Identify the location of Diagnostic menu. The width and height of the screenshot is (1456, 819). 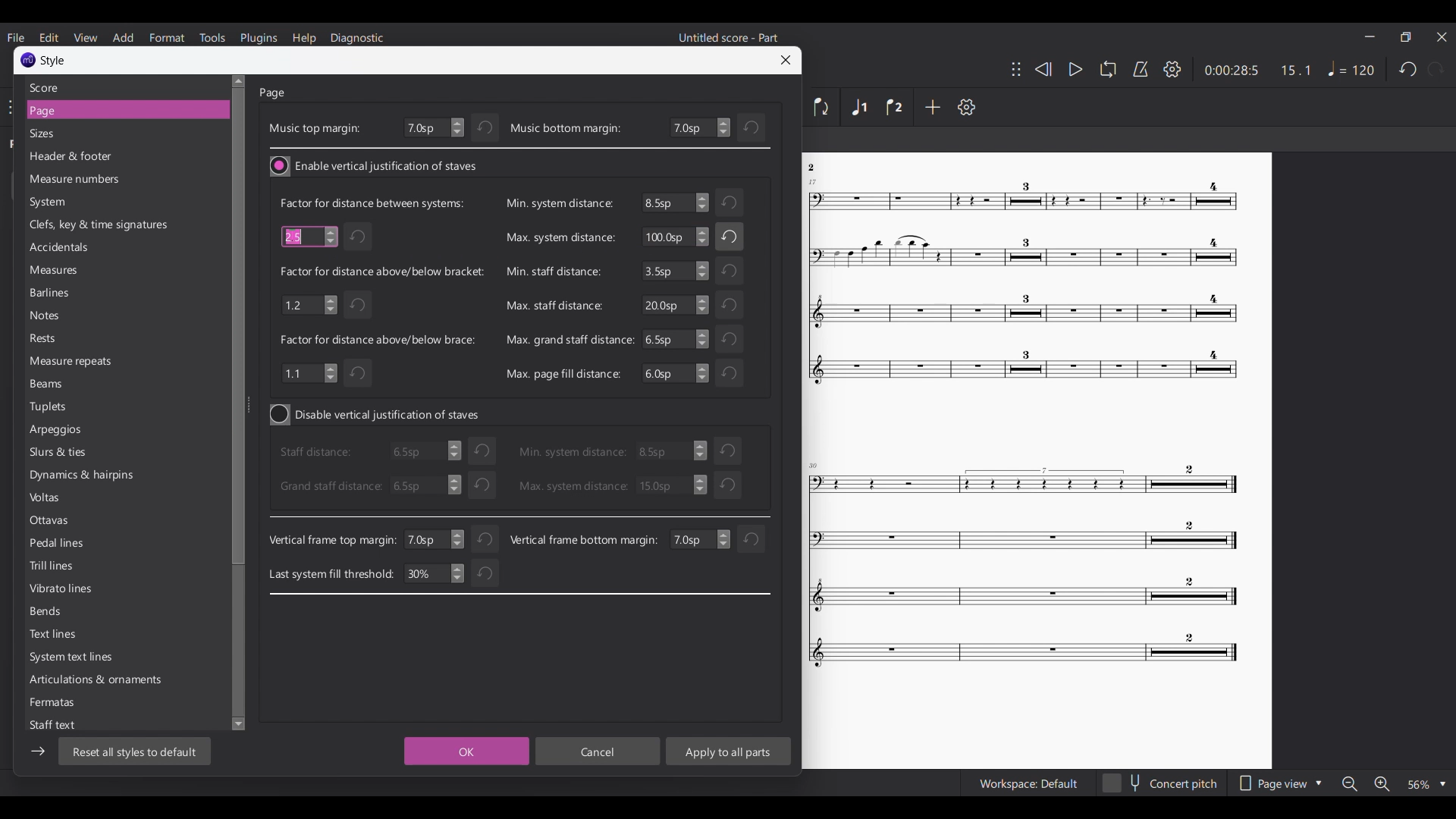
(357, 39).